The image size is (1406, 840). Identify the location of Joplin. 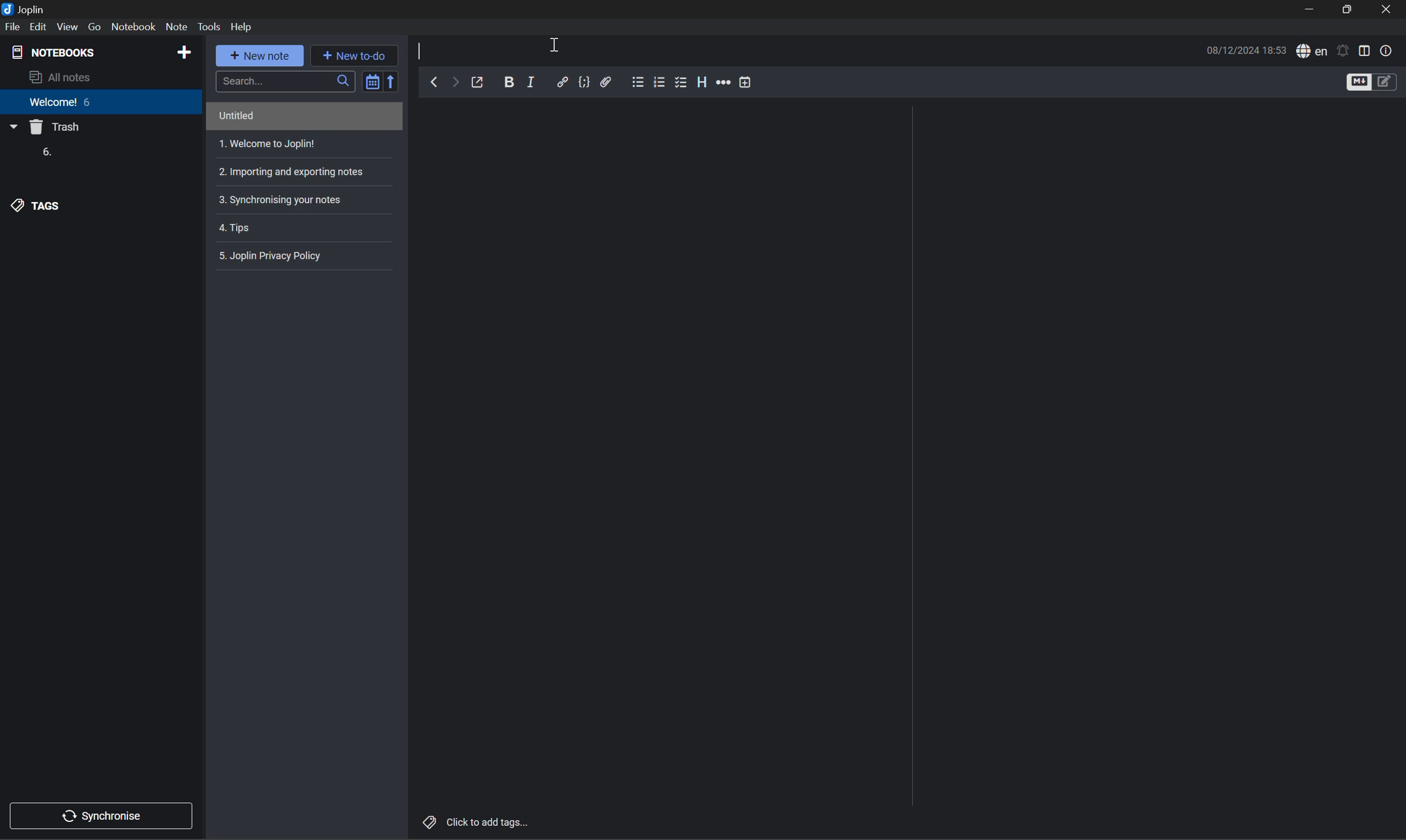
(25, 7).